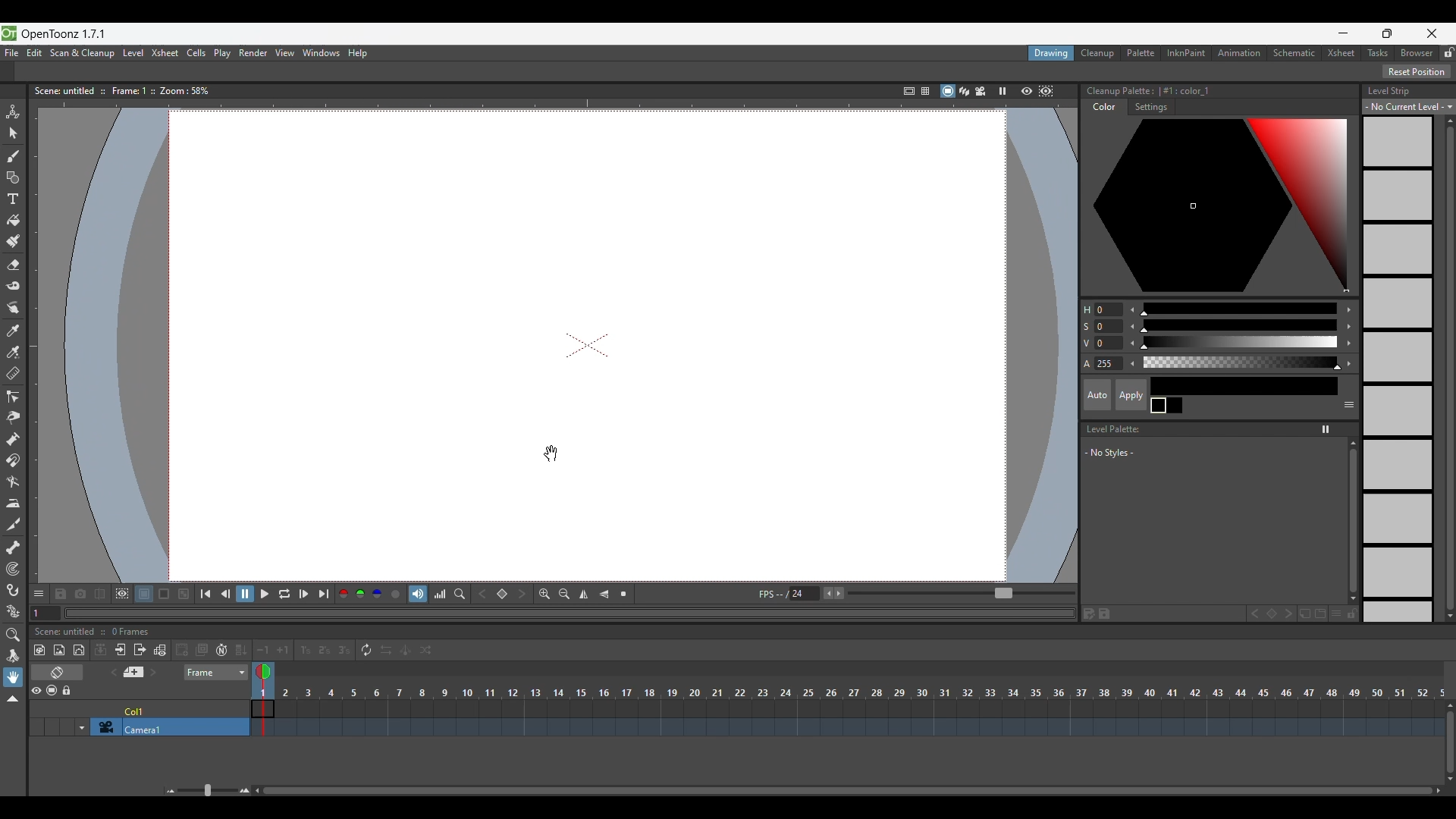 The width and height of the screenshot is (1456, 819). Describe the element at coordinates (1131, 336) in the screenshot. I see `Decrease color modification` at that location.